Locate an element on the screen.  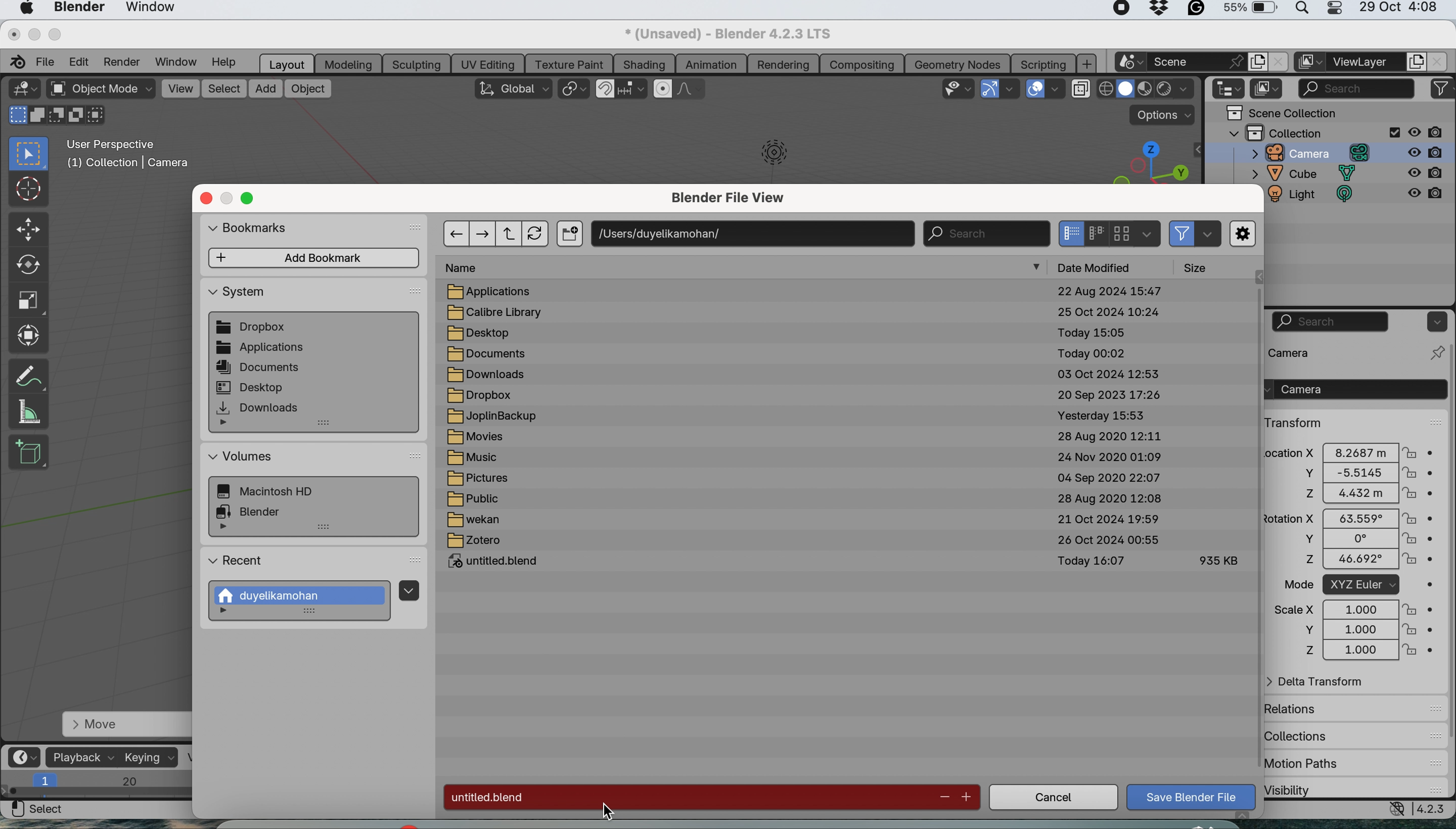
collections is located at coordinates (1306, 733).